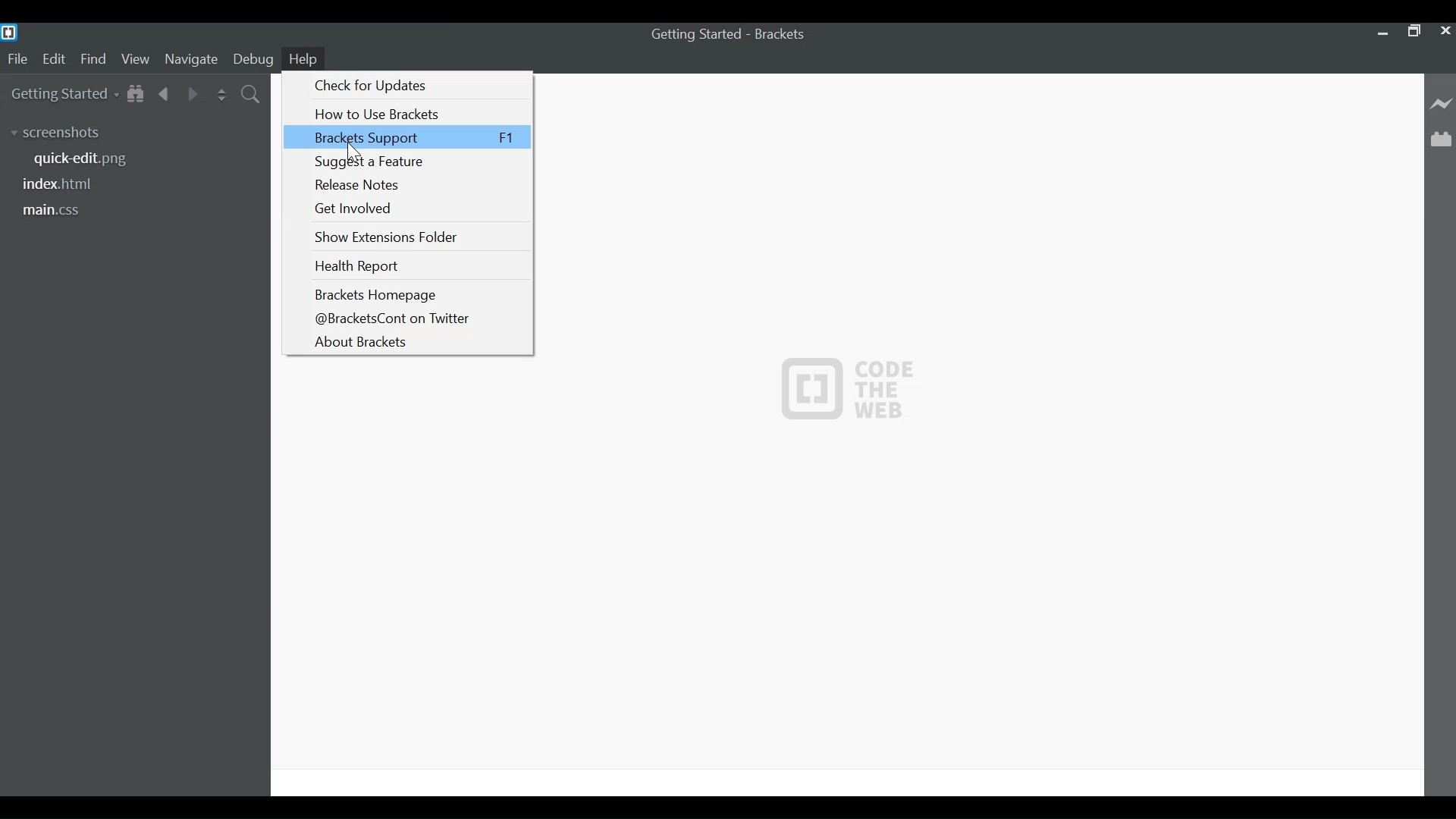  Describe the element at coordinates (417, 185) in the screenshot. I see `Release Notes` at that location.